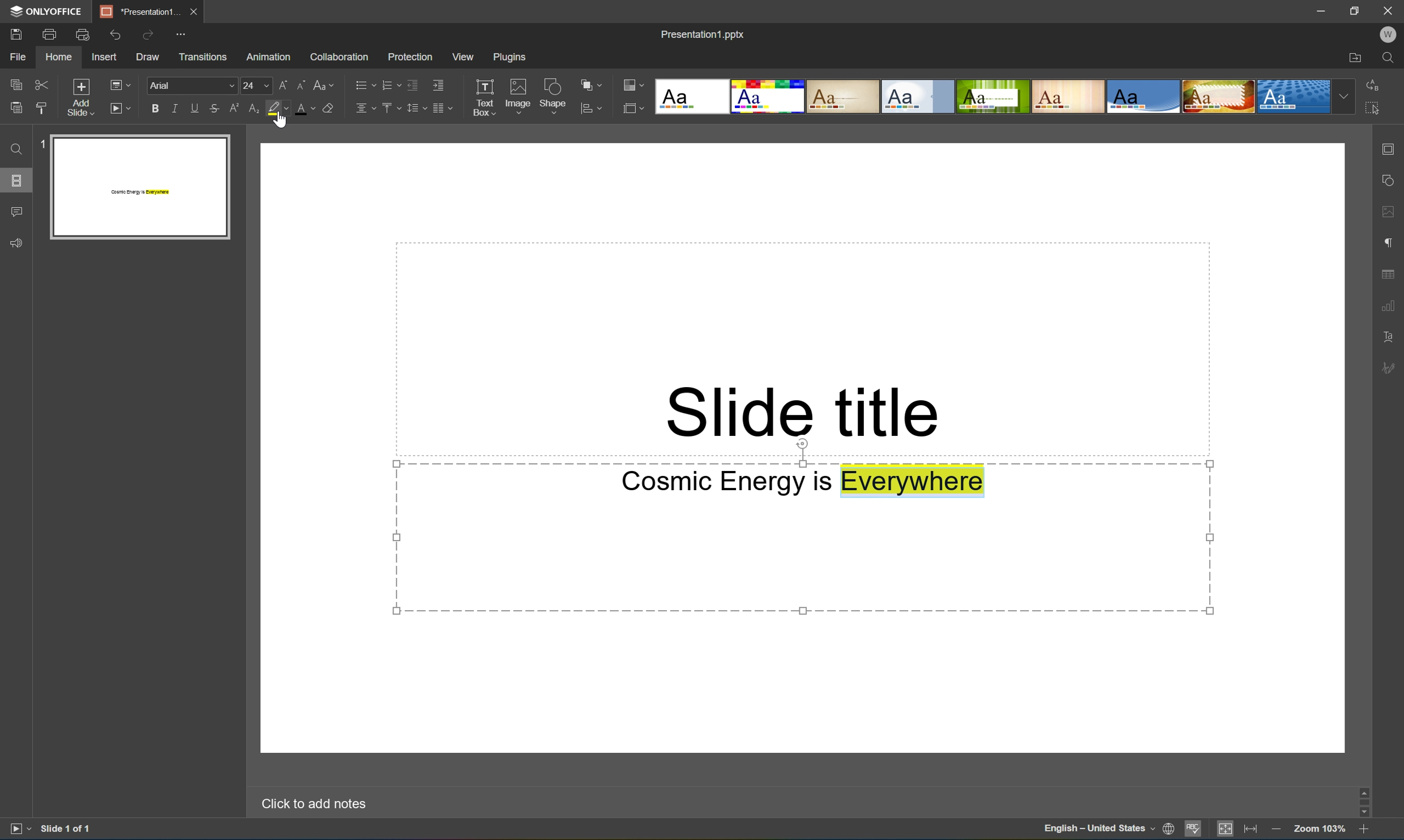 Image resolution: width=1404 pixels, height=840 pixels. What do you see at coordinates (1373, 106) in the screenshot?
I see `Select all` at bounding box center [1373, 106].